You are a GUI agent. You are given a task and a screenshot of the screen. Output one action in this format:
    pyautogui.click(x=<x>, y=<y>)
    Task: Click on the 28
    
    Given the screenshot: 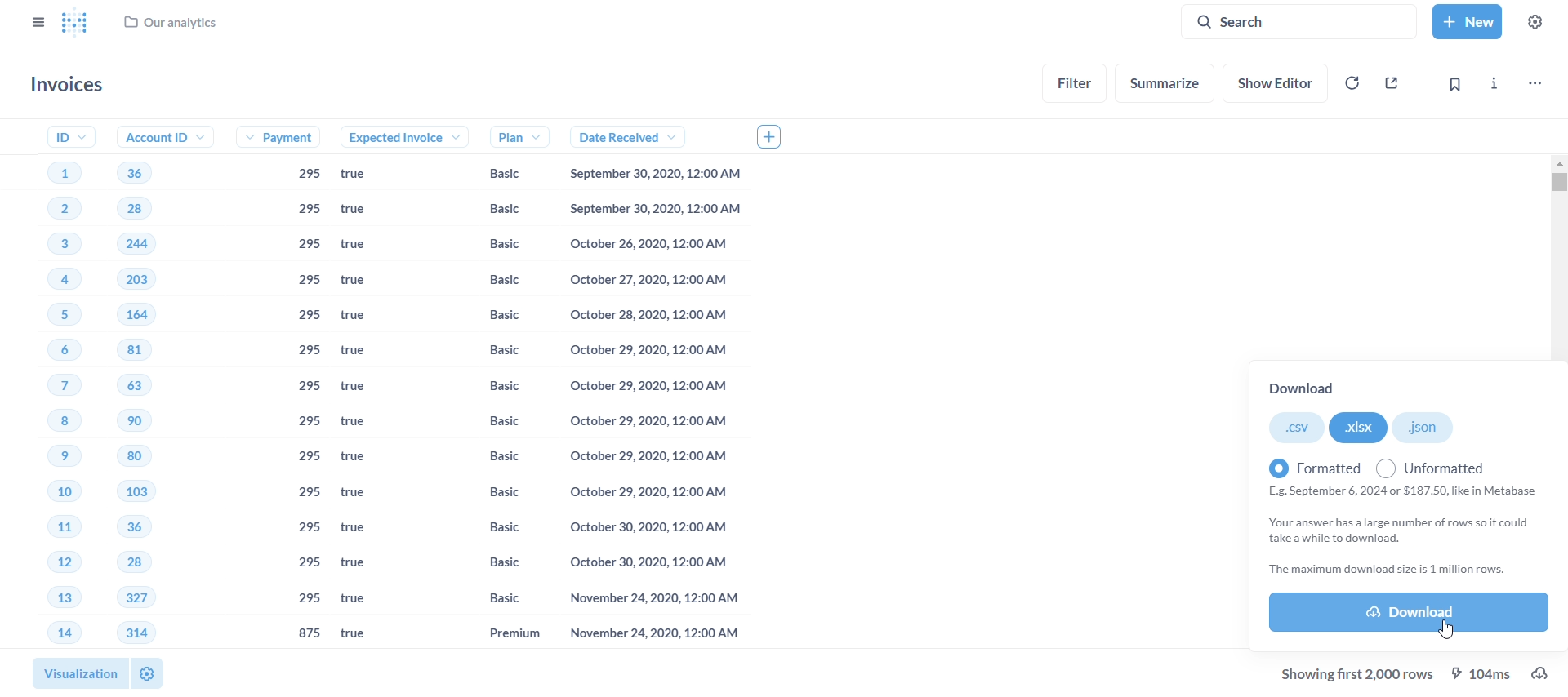 What is the action you would take?
    pyautogui.click(x=126, y=563)
    